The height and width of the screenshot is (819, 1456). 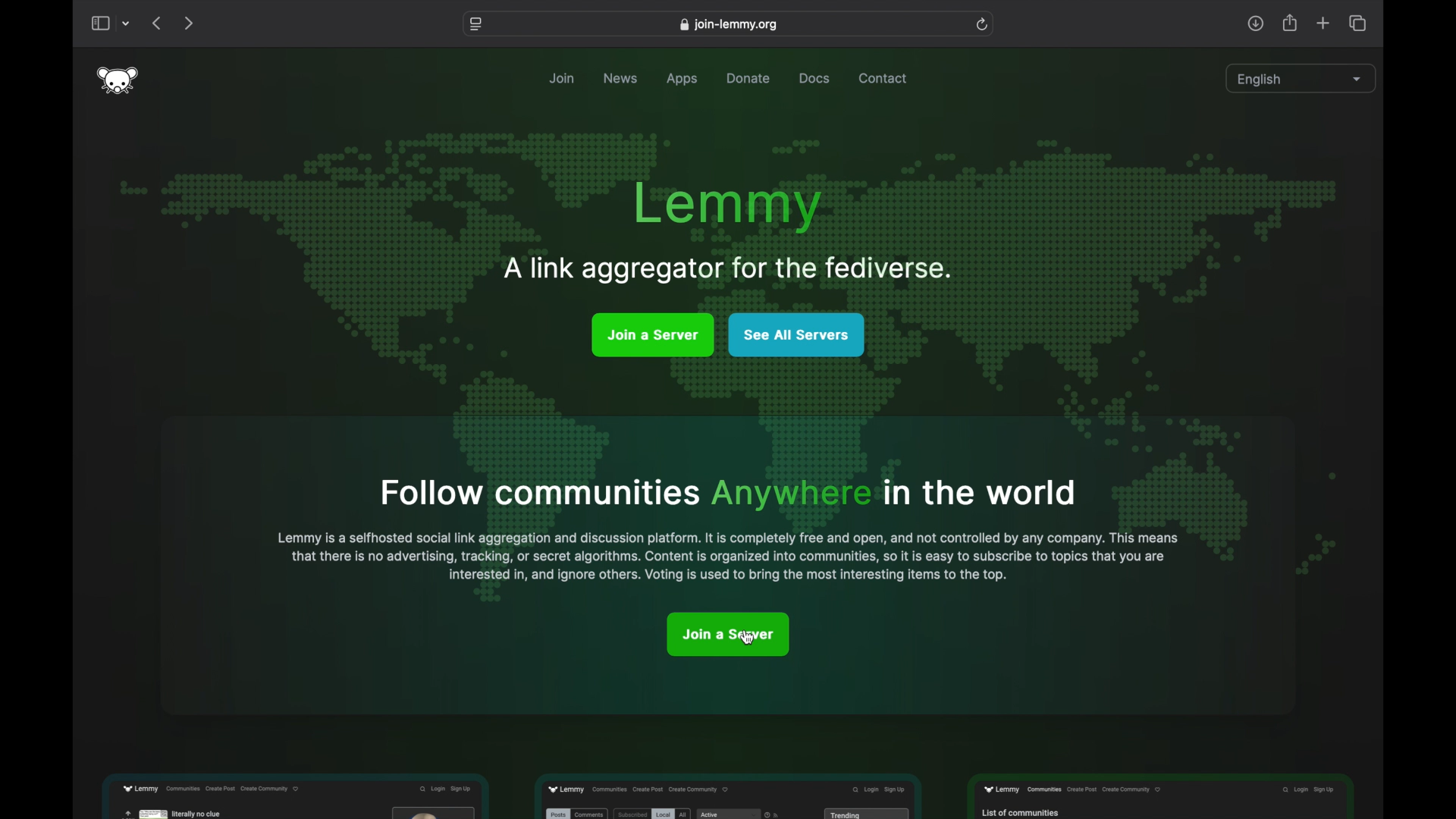 What do you see at coordinates (656, 336) in the screenshot?
I see `join a server` at bounding box center [656, 336].